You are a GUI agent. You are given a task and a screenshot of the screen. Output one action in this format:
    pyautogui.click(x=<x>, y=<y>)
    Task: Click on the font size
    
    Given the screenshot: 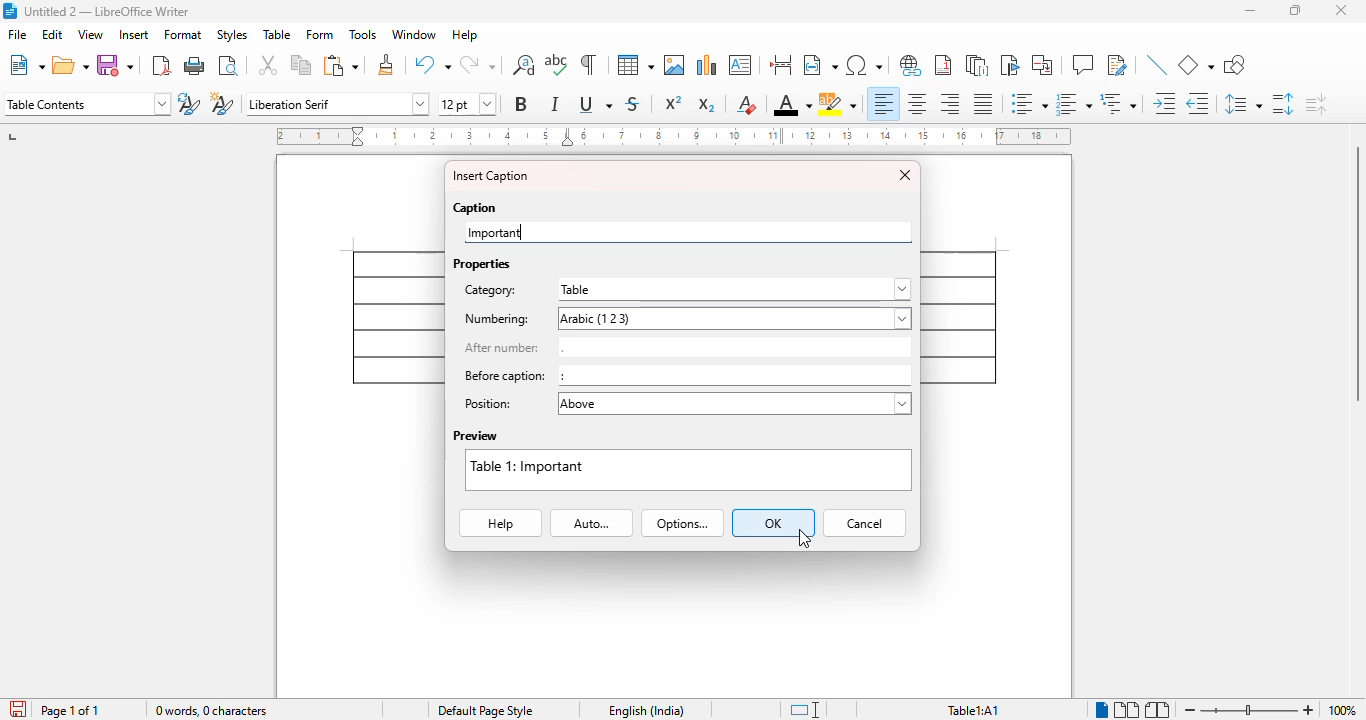 What is the action you would take?
    pyautogui.click(x=468, y=104)
    